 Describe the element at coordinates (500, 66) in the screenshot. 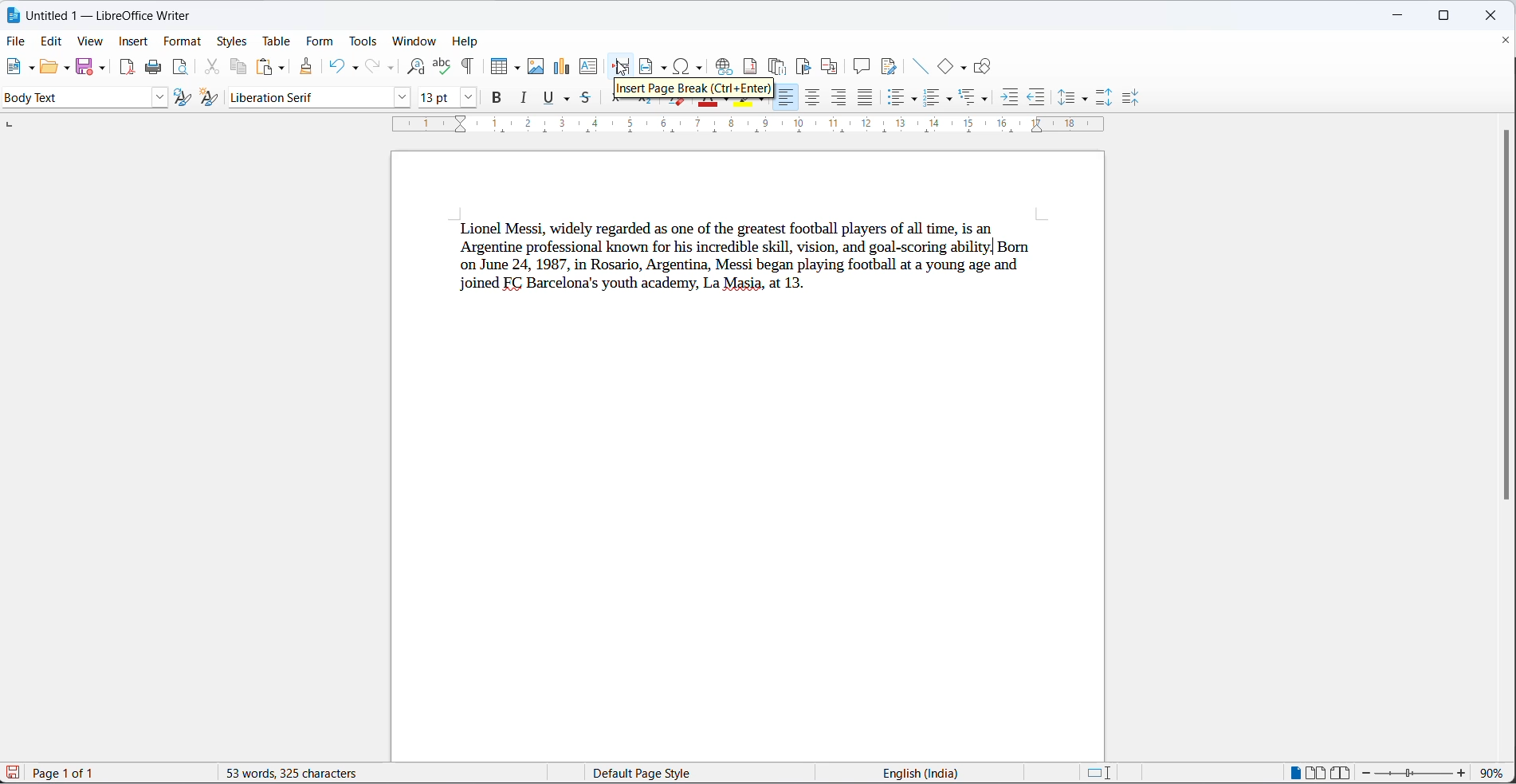

I see `insert table` at that location.